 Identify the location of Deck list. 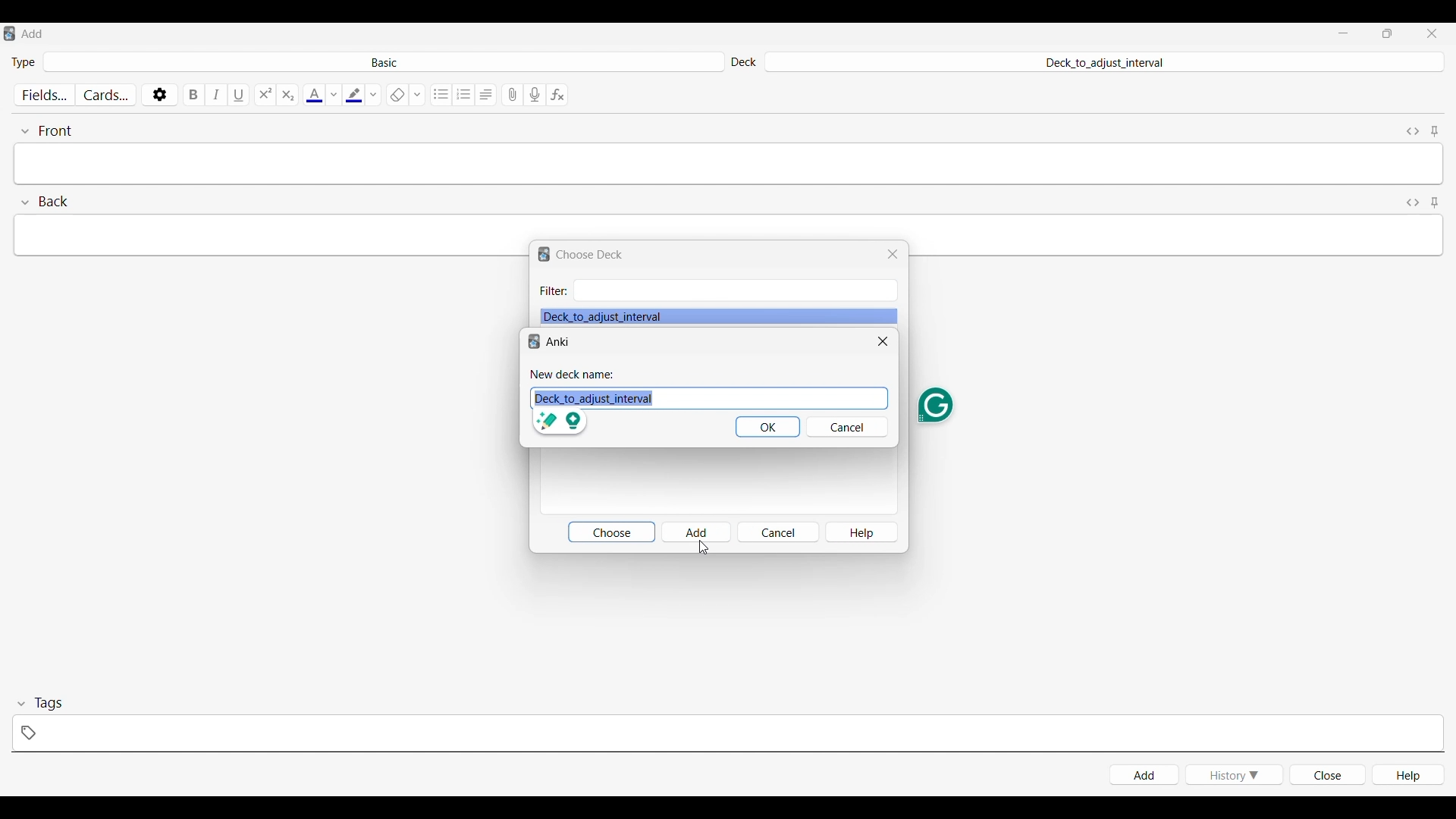
(719, 316).